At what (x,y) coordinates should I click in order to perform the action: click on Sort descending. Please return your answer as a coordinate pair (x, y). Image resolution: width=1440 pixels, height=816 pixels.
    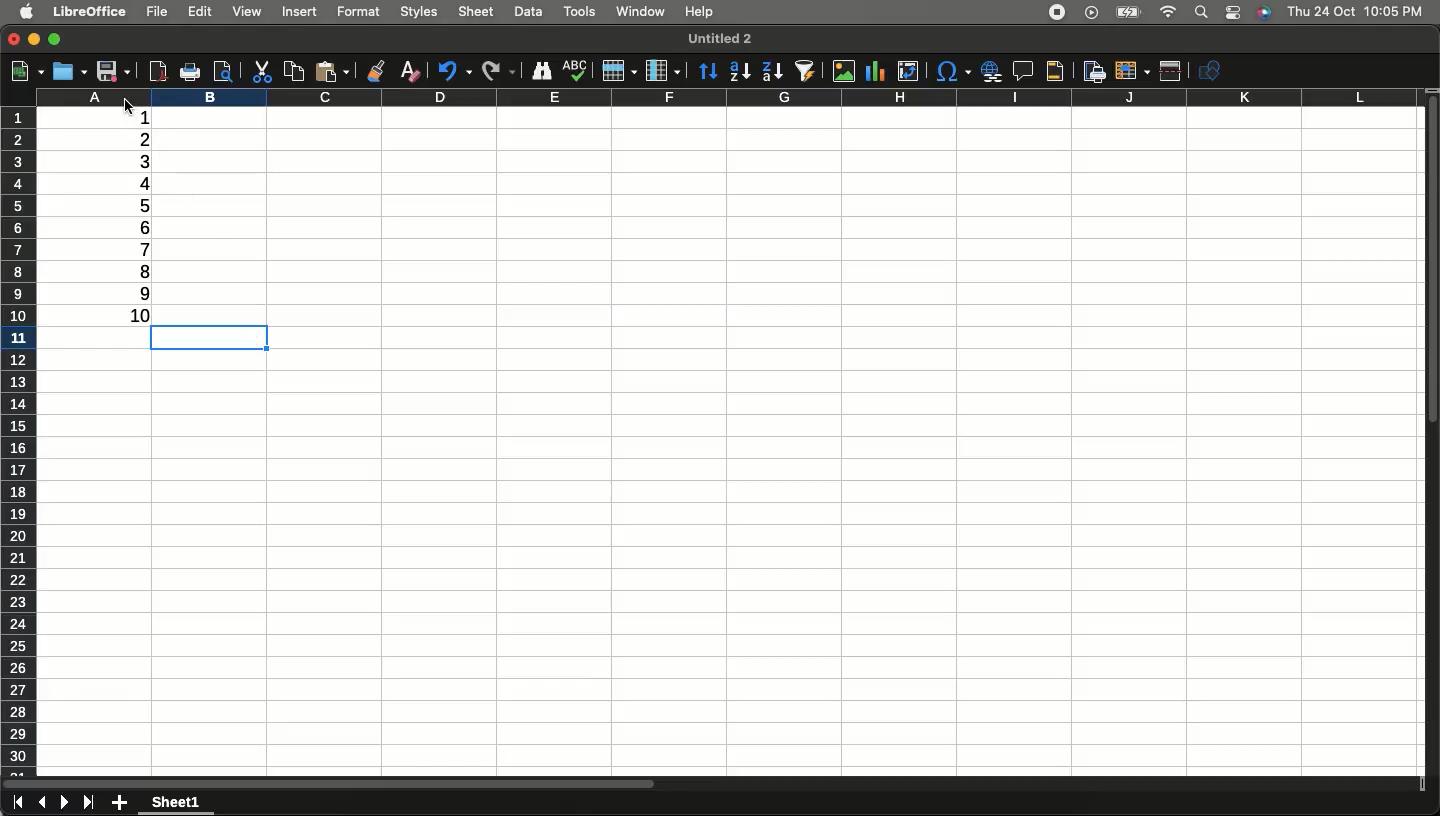
    Looking at the image, I should click on (772, 72).